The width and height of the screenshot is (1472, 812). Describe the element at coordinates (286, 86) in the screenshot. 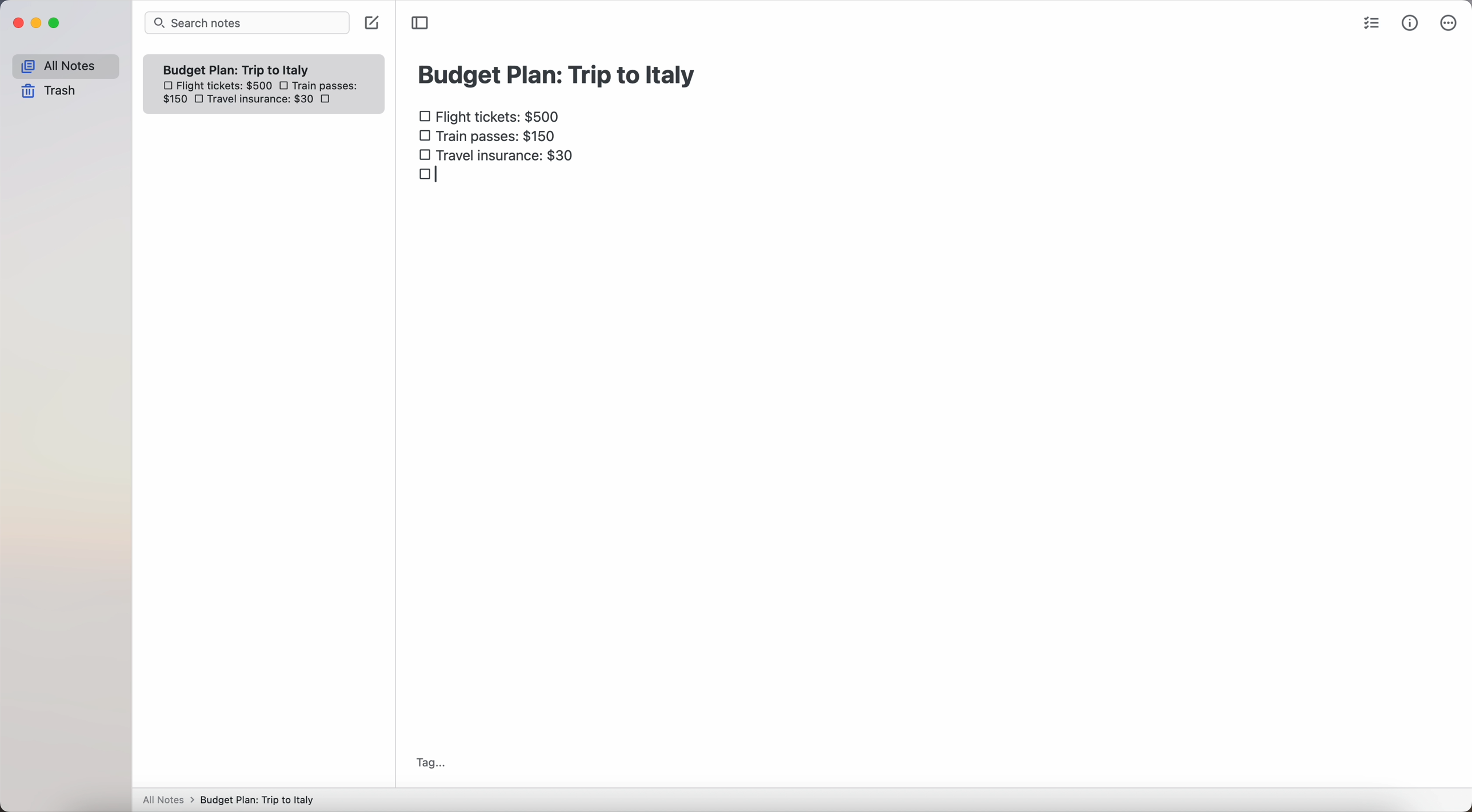

I see `checkbox` at that location.